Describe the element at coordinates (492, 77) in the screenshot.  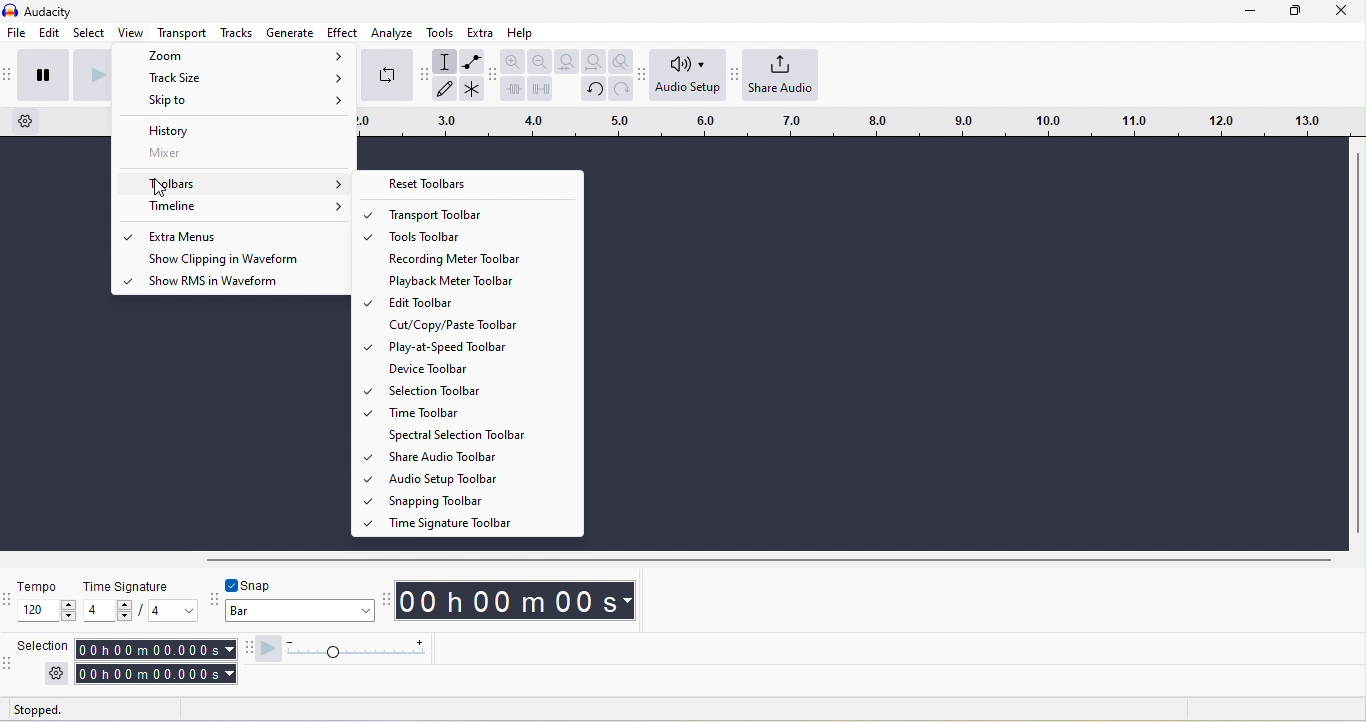
I see `audacity edit toolbar` at that location.